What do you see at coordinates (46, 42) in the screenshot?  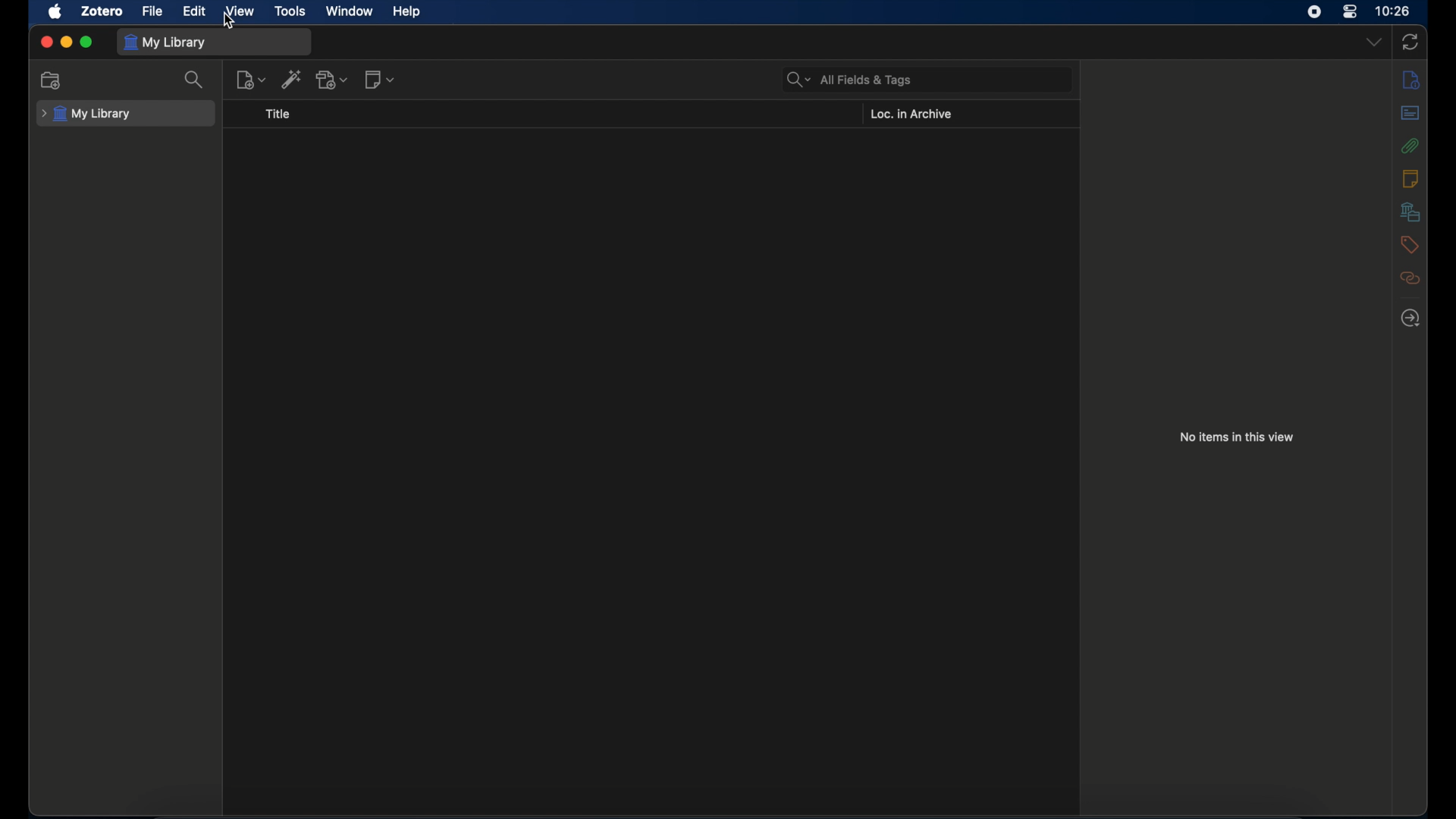 I see `close` at bounding box center [46, 42].